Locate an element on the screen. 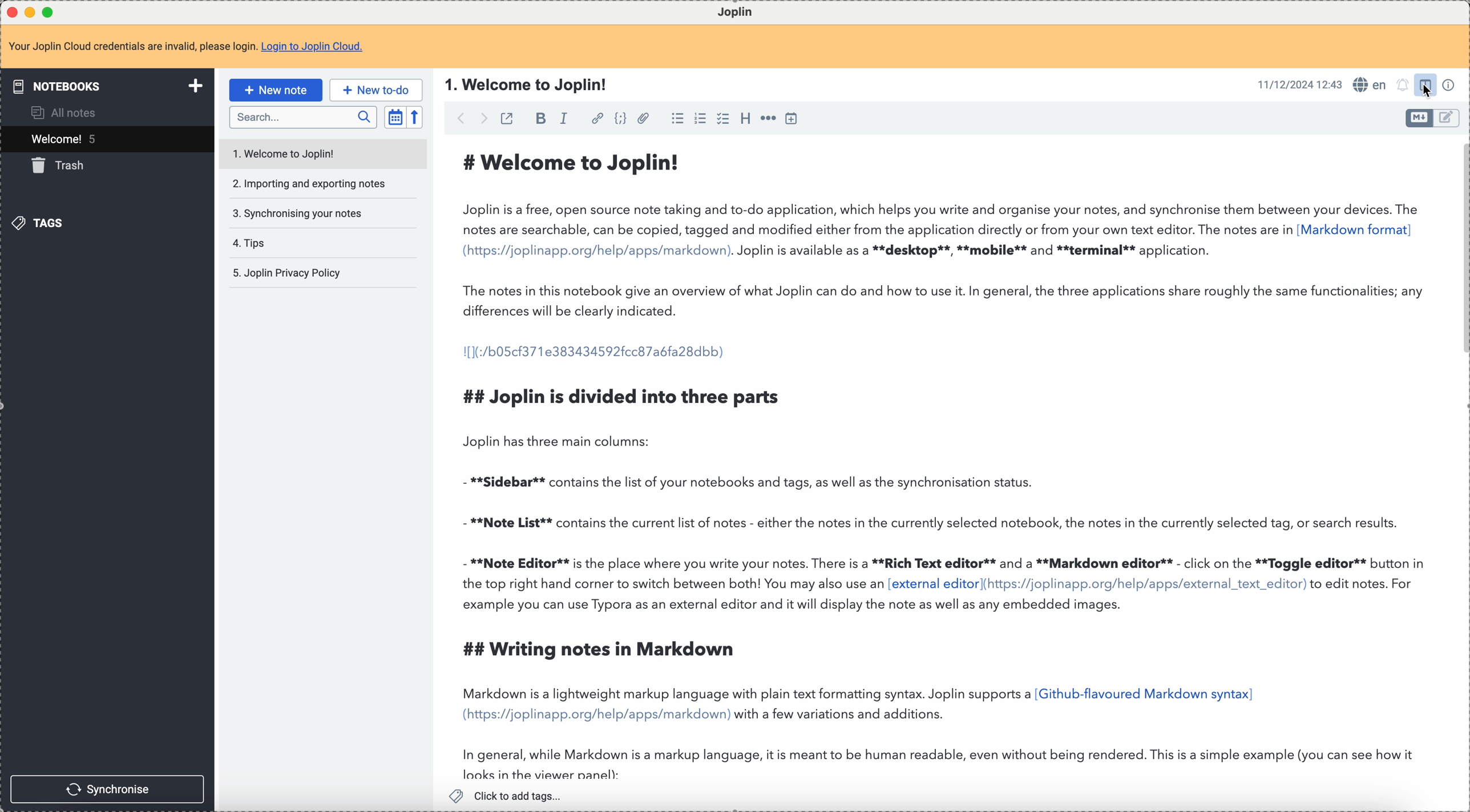  search bar is located at coordinates (302, 118).